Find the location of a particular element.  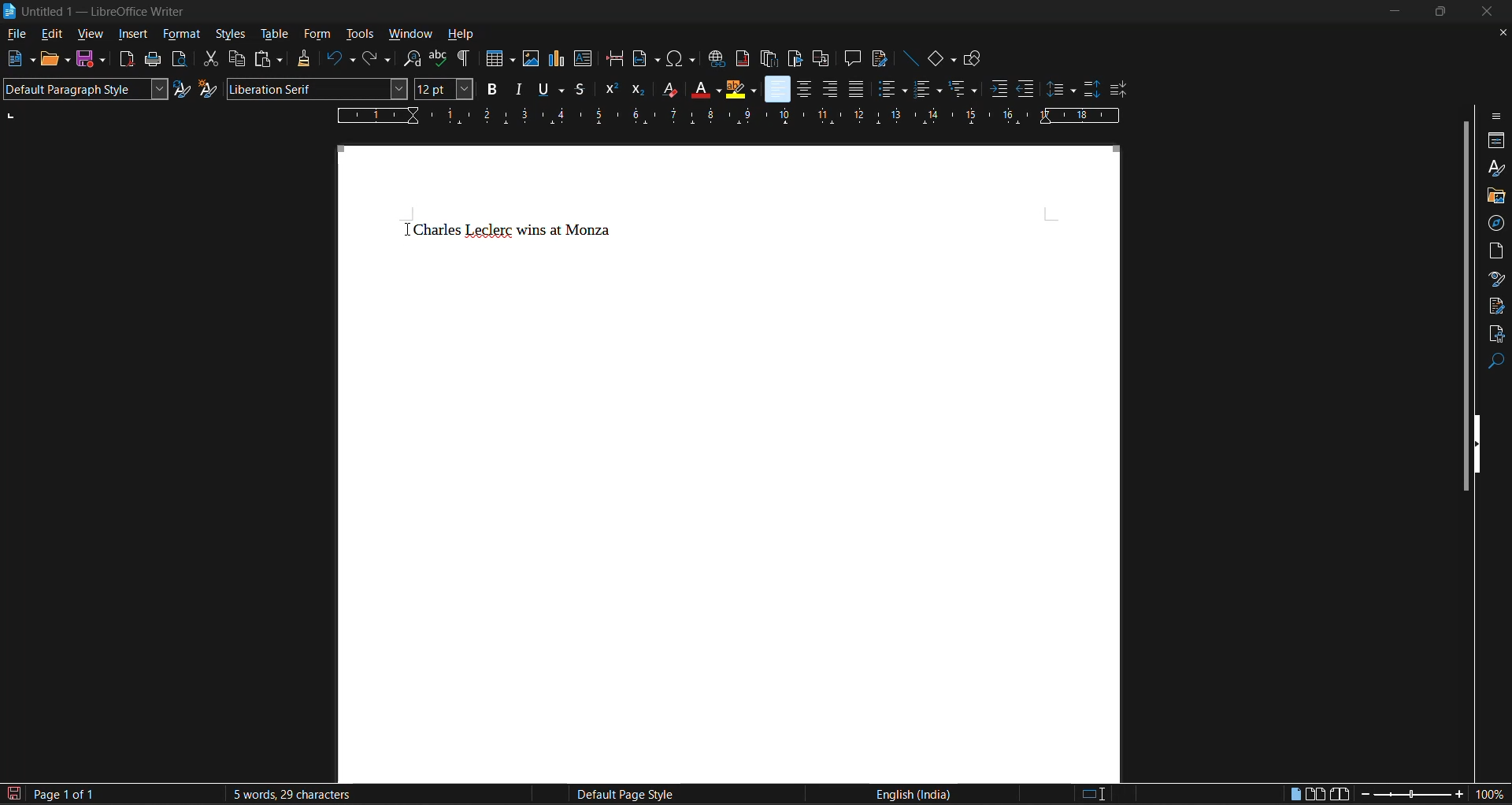

align right is located at coordinates (829, 89).